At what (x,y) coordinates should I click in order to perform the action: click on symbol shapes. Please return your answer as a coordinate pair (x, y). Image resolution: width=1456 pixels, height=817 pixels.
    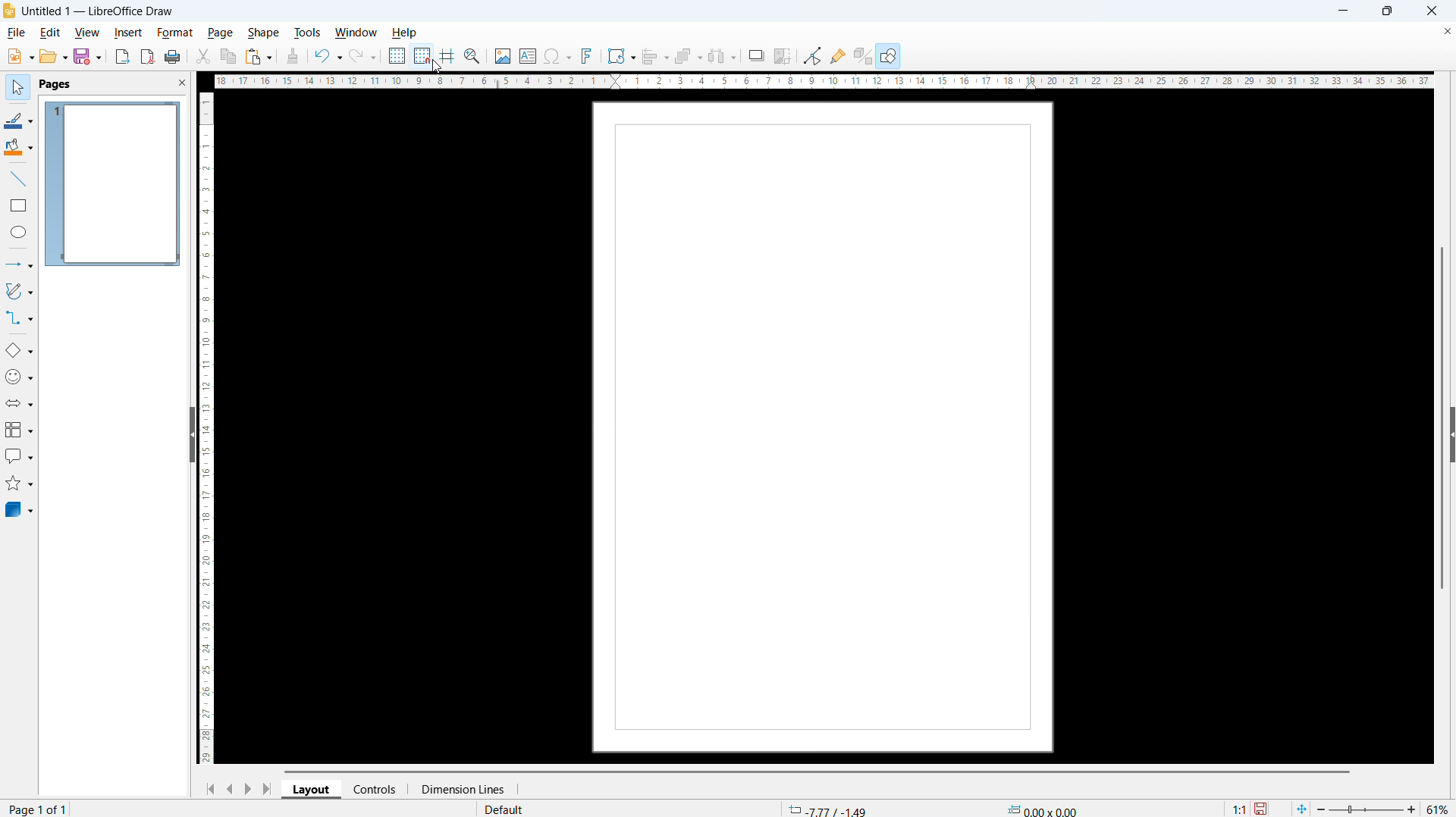
    Looking at the image, I should click on (18, 377).